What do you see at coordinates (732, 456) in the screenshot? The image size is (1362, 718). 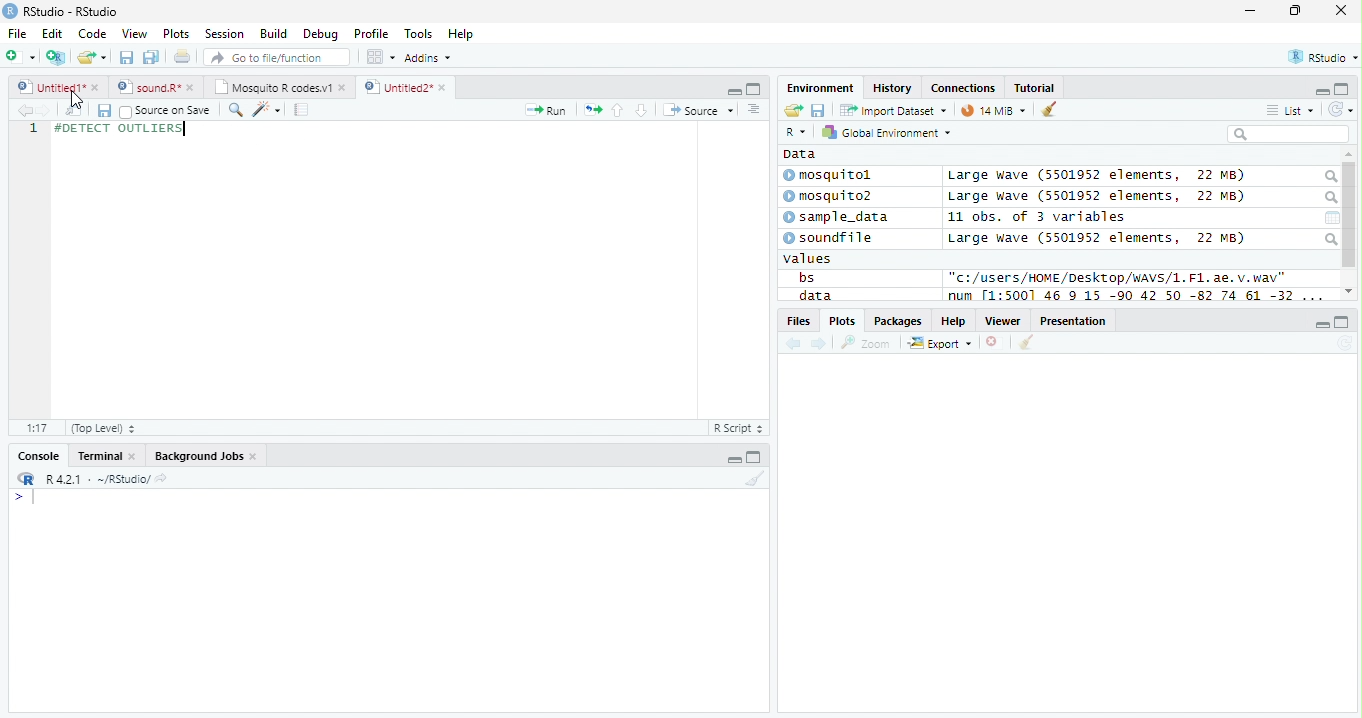 I see `minimize` at bounding box center [732, 456].